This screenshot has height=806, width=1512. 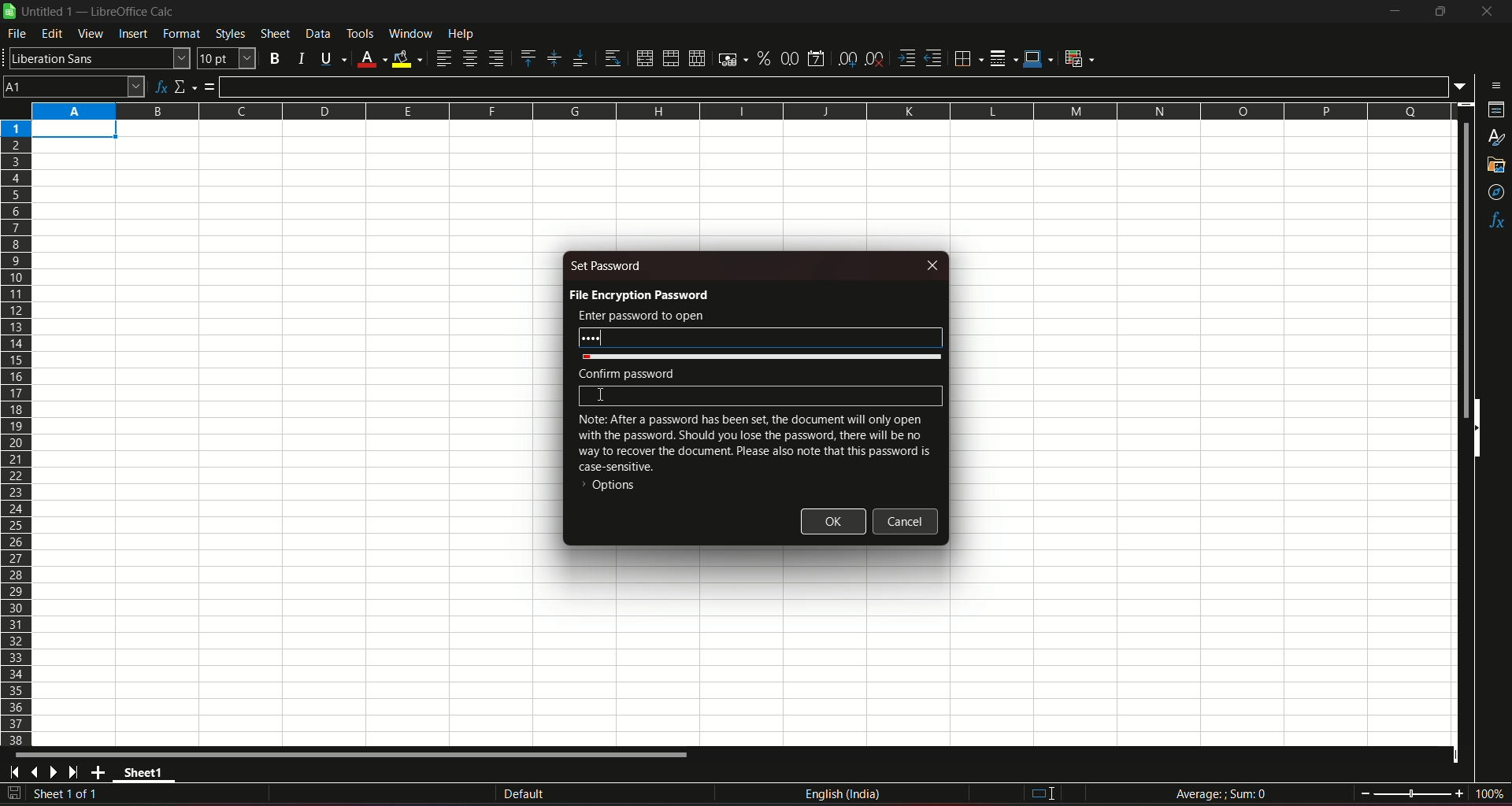 What do you see at coordinates (1494, 112) in the screenshot?
I see `properties` at bounding box center [1494, 112].